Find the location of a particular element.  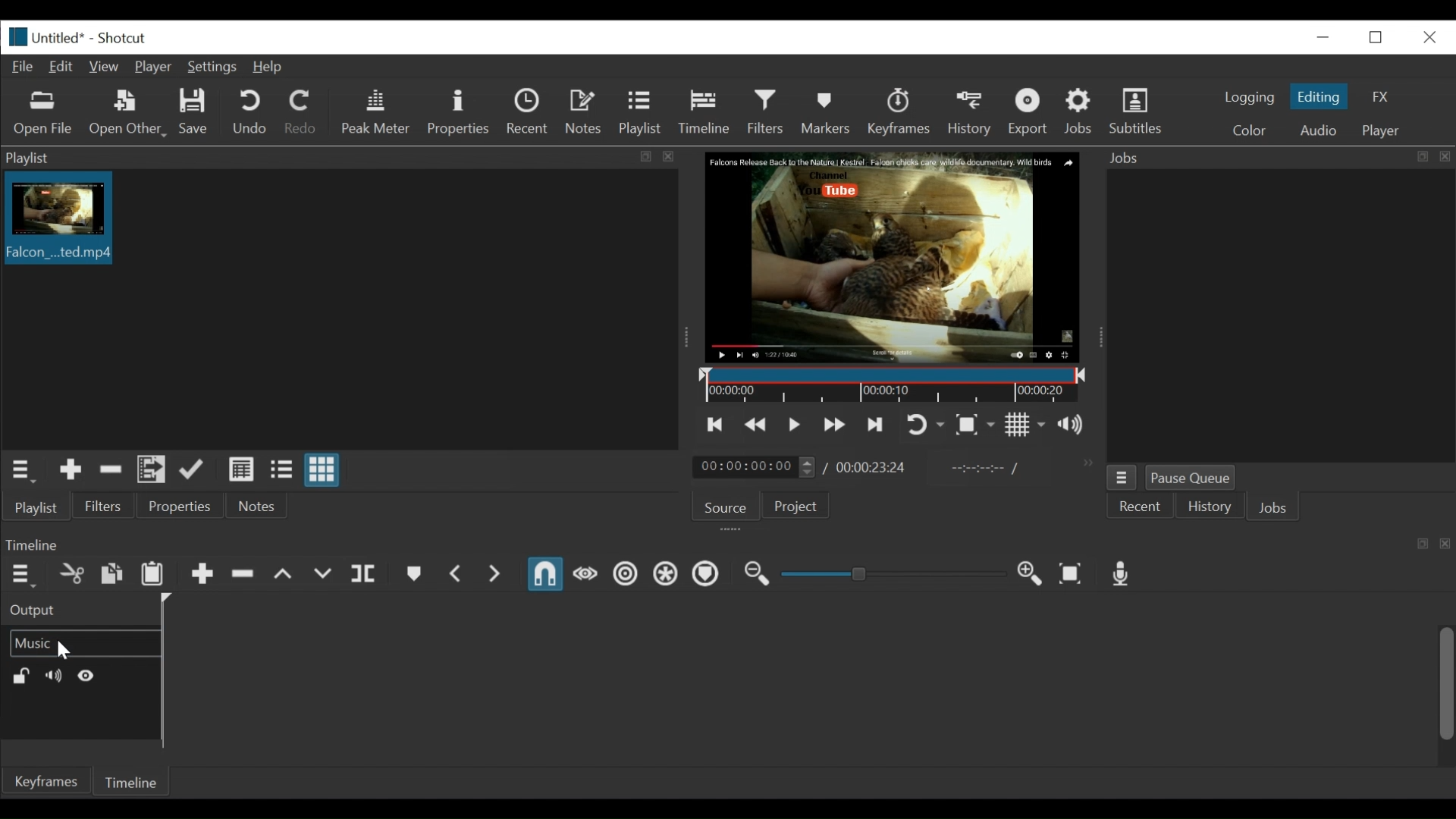

Clip thumbnail is located at coordinates (337, 309).